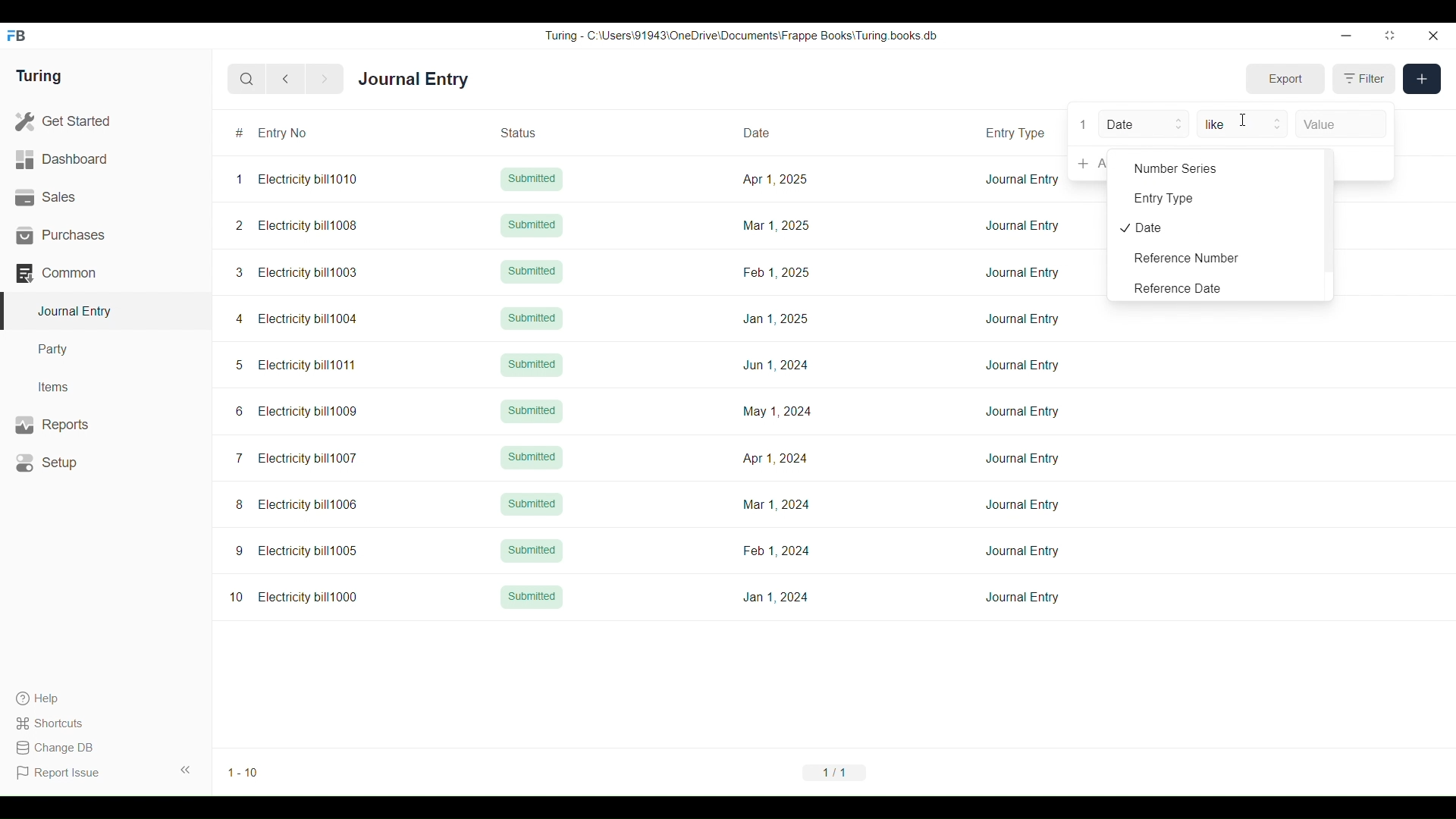 The height and width of the screenshot is (819, 1456). Describe the element at coordinates (105, 350) in the screenshot. I see `Party` at that location.